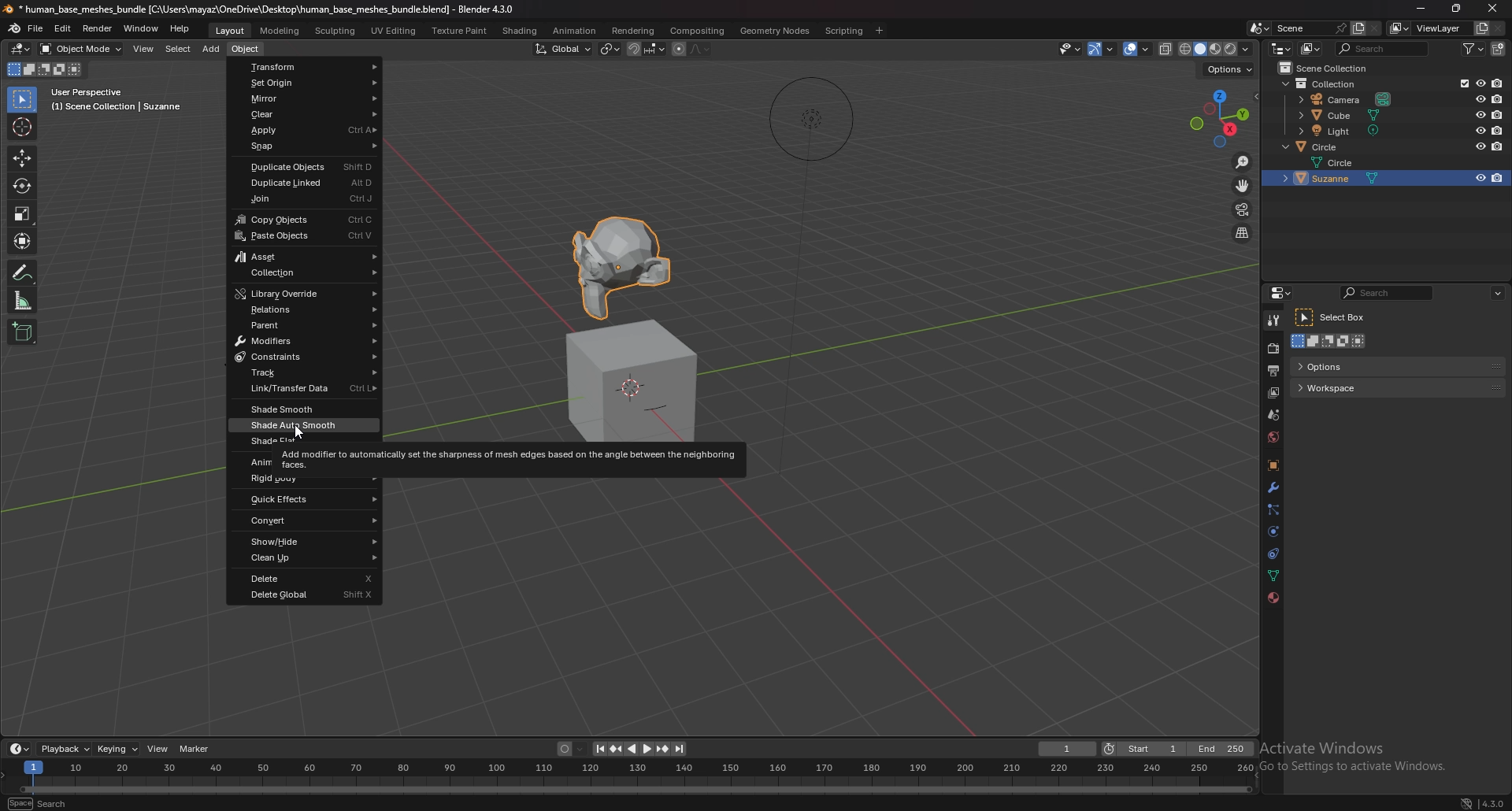  What do you see at coordinates (1222, 748) in the screenshot?
I see `end` at bounding box center [1222, 748].